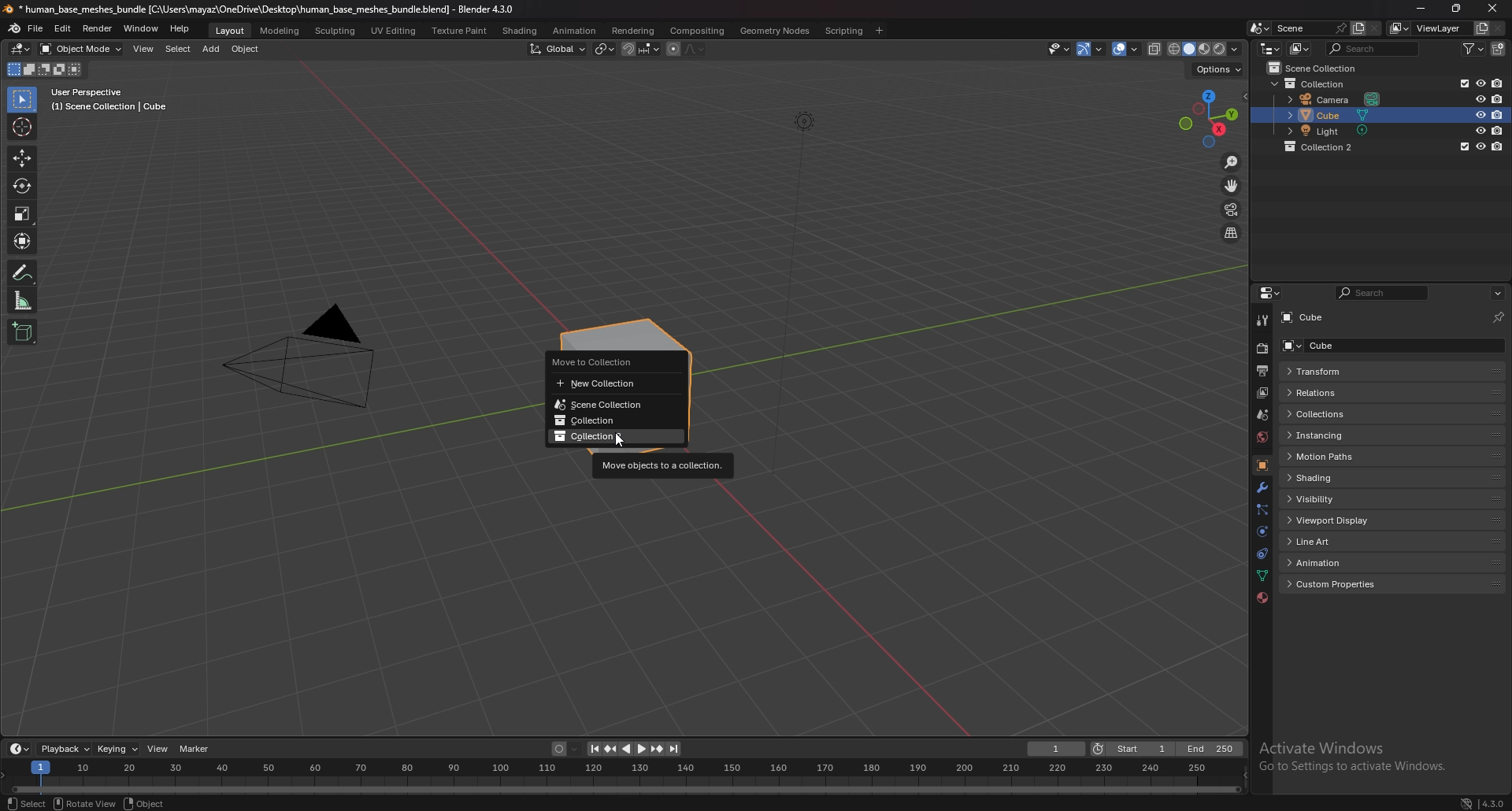 The height and width of the screenshot is (811, 1512). What do you see at coordinates (1497, 294) in the screenshot?
I see `options` at bounding box center [1497, 294].